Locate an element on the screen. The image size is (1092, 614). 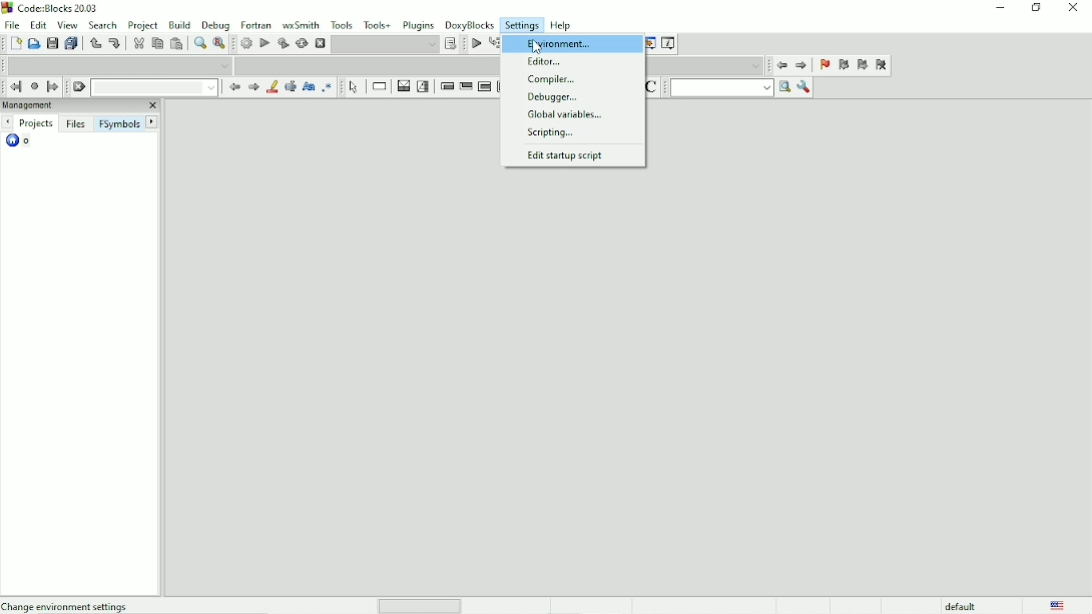
Instruction is located at coordinates (379, 86).